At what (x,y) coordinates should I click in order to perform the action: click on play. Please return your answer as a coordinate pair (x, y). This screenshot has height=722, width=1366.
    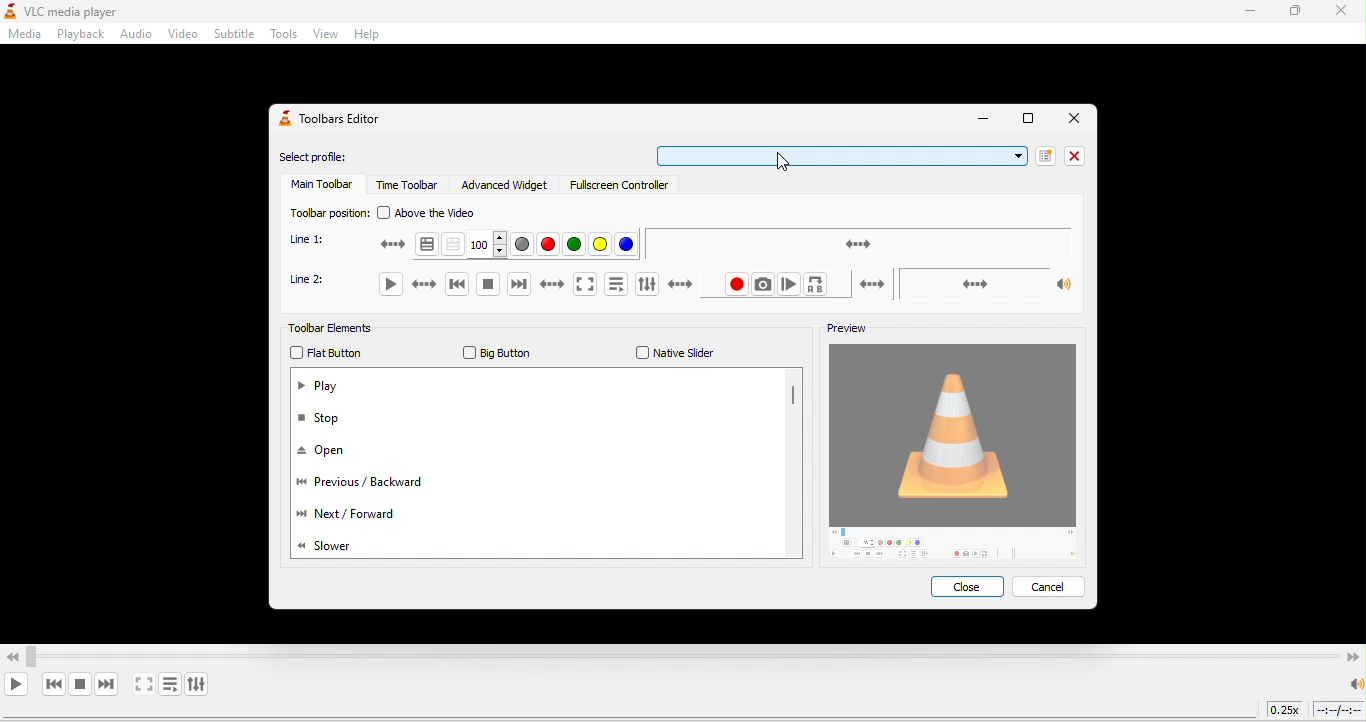
    Looking at the image, I should click on (19, 685).